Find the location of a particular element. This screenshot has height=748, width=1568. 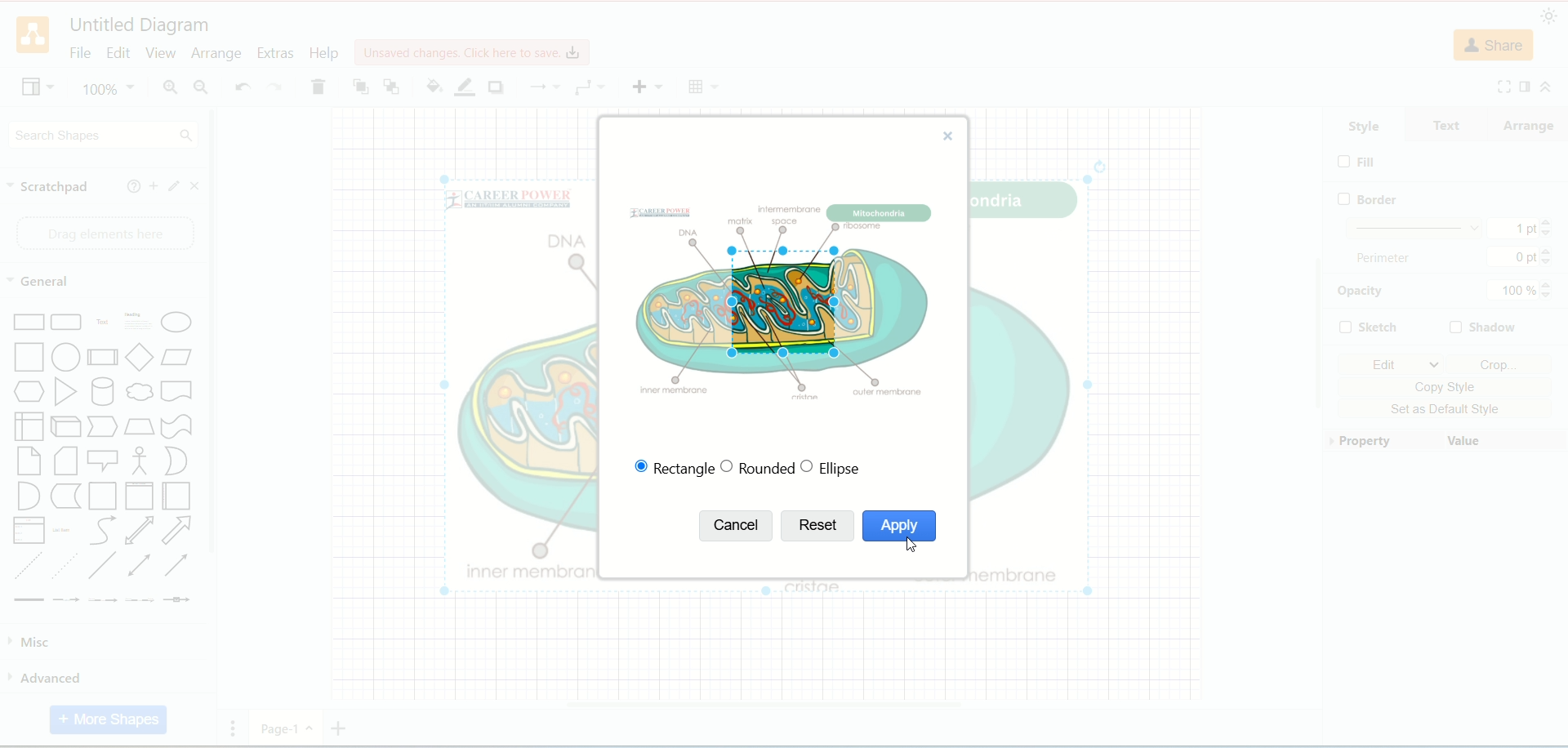

copy style is located at coordinates (1447, 387).